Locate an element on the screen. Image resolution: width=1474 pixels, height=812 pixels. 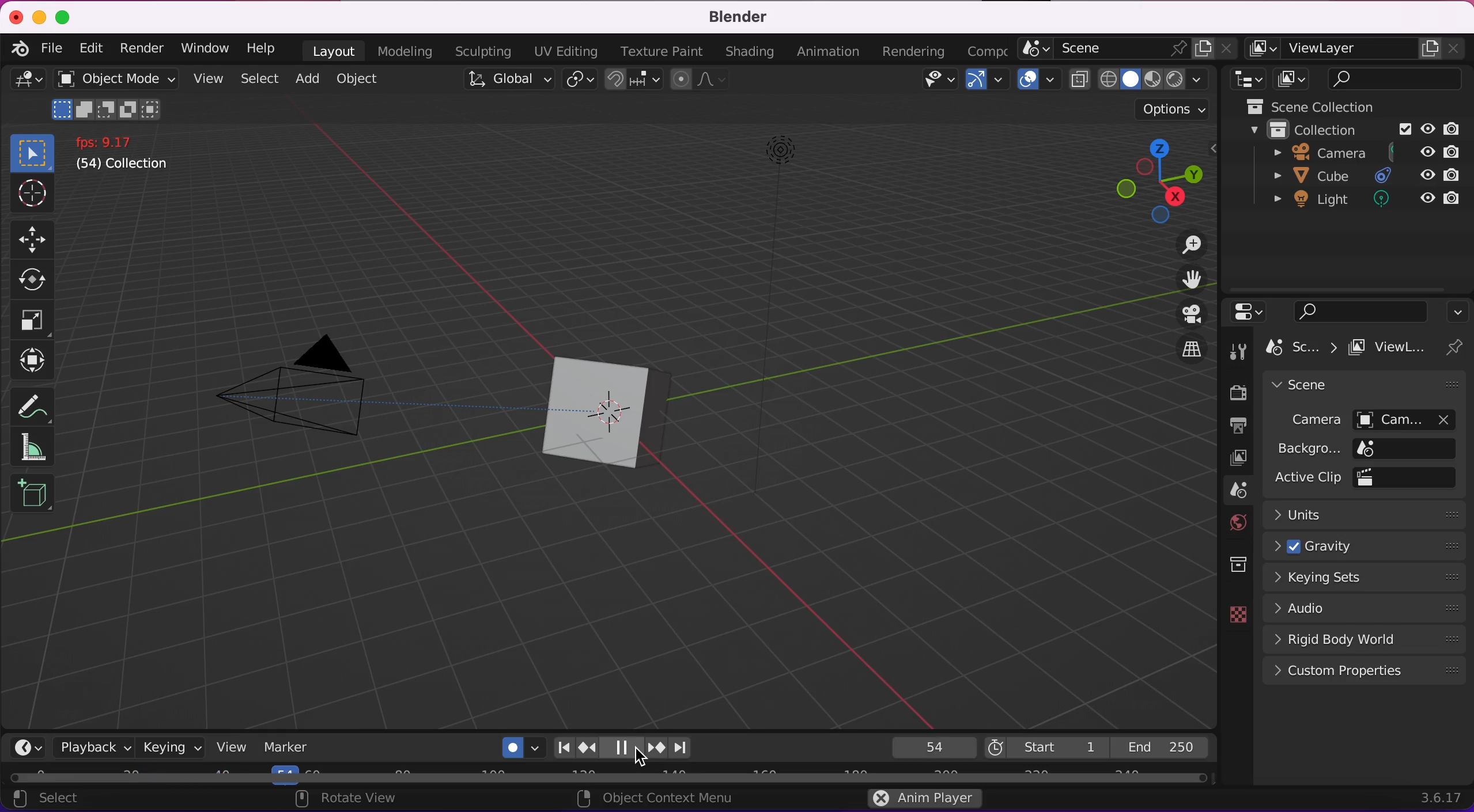
units is located at coordinates (1370, 514).